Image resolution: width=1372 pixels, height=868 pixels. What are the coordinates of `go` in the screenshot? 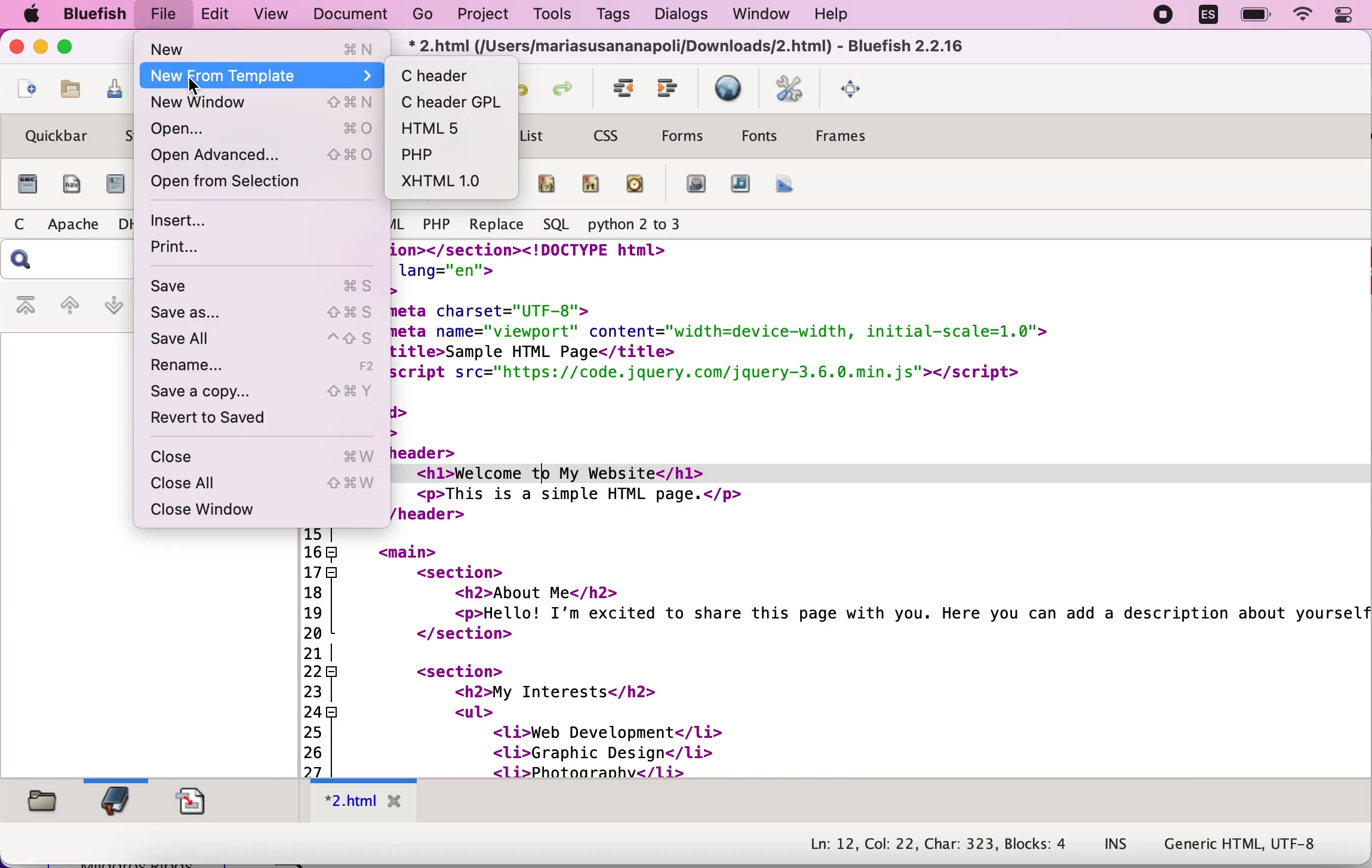 It's located at (420, 15).